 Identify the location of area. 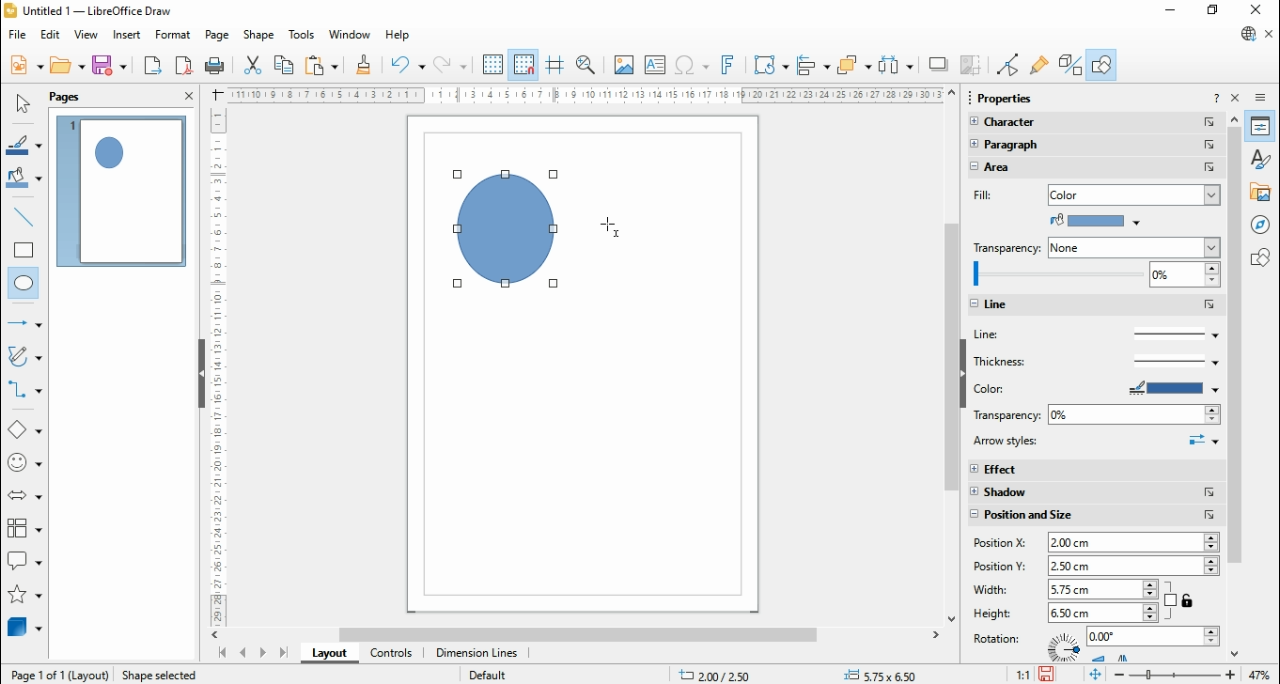
(1030, 168).